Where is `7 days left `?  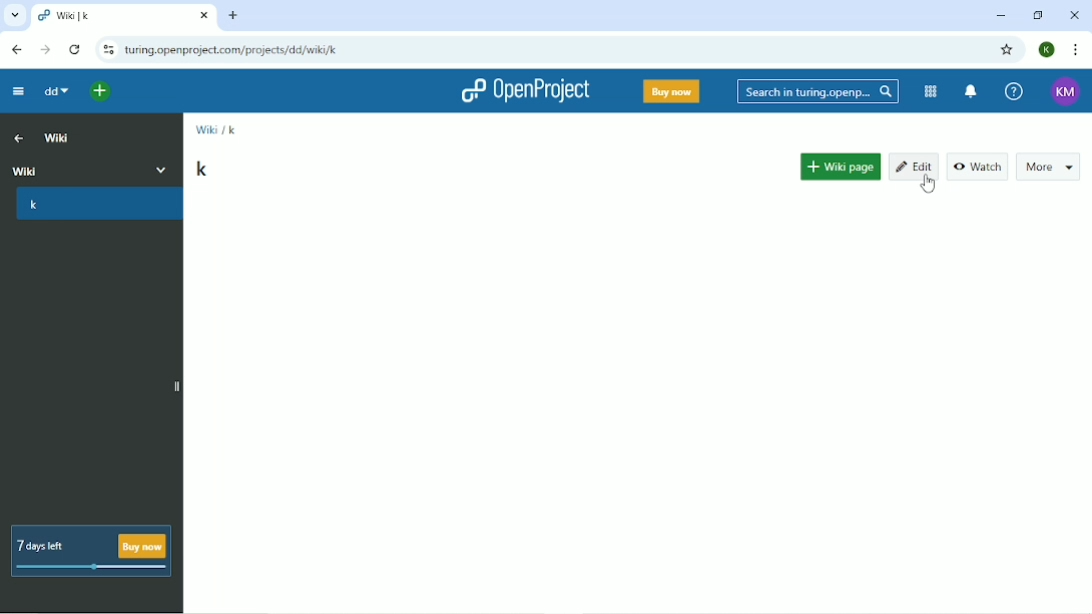
7 days left  is located at coordinates (94, 550).